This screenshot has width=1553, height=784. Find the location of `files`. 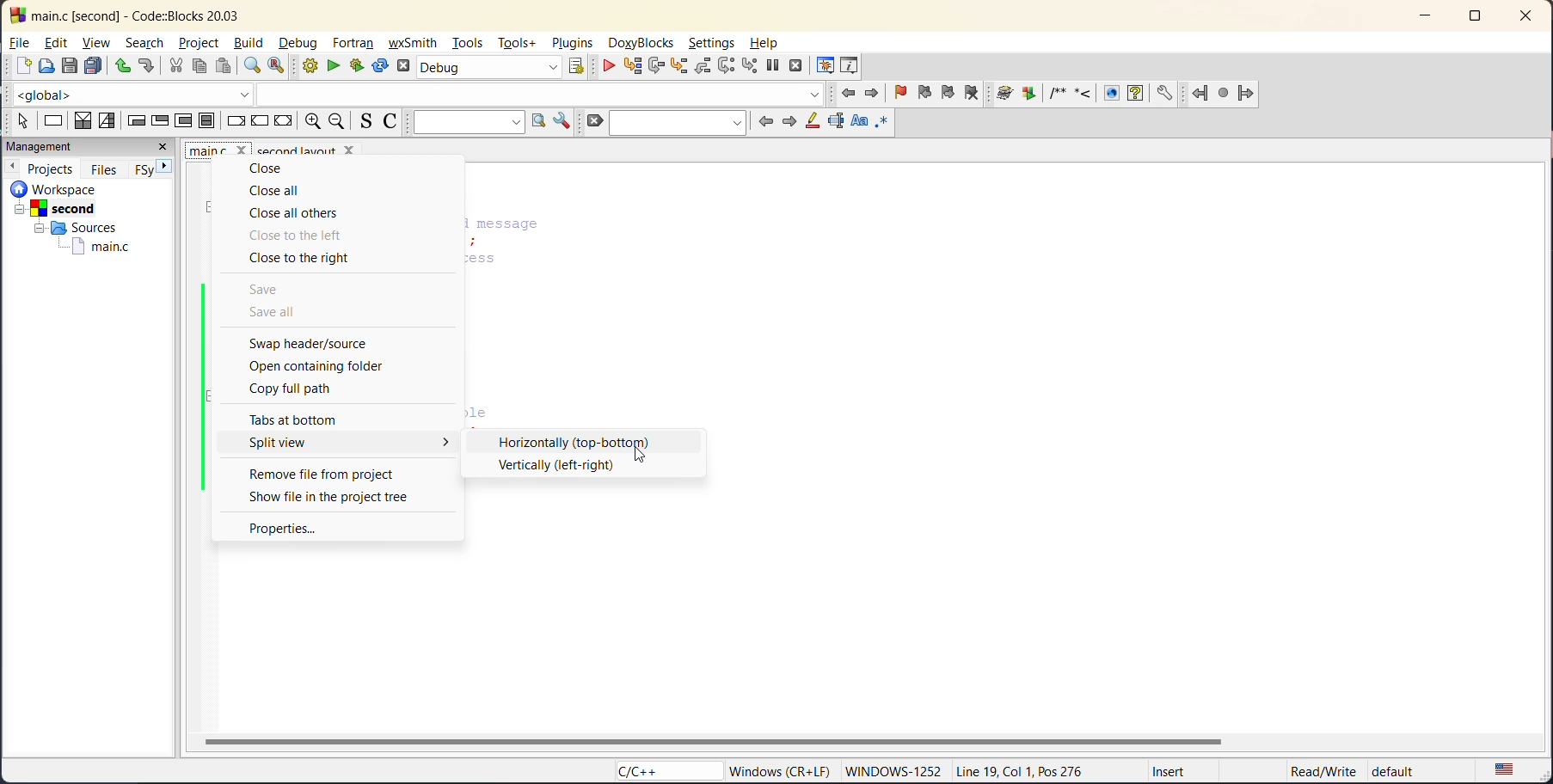

files is located at coordinates (104, 168).